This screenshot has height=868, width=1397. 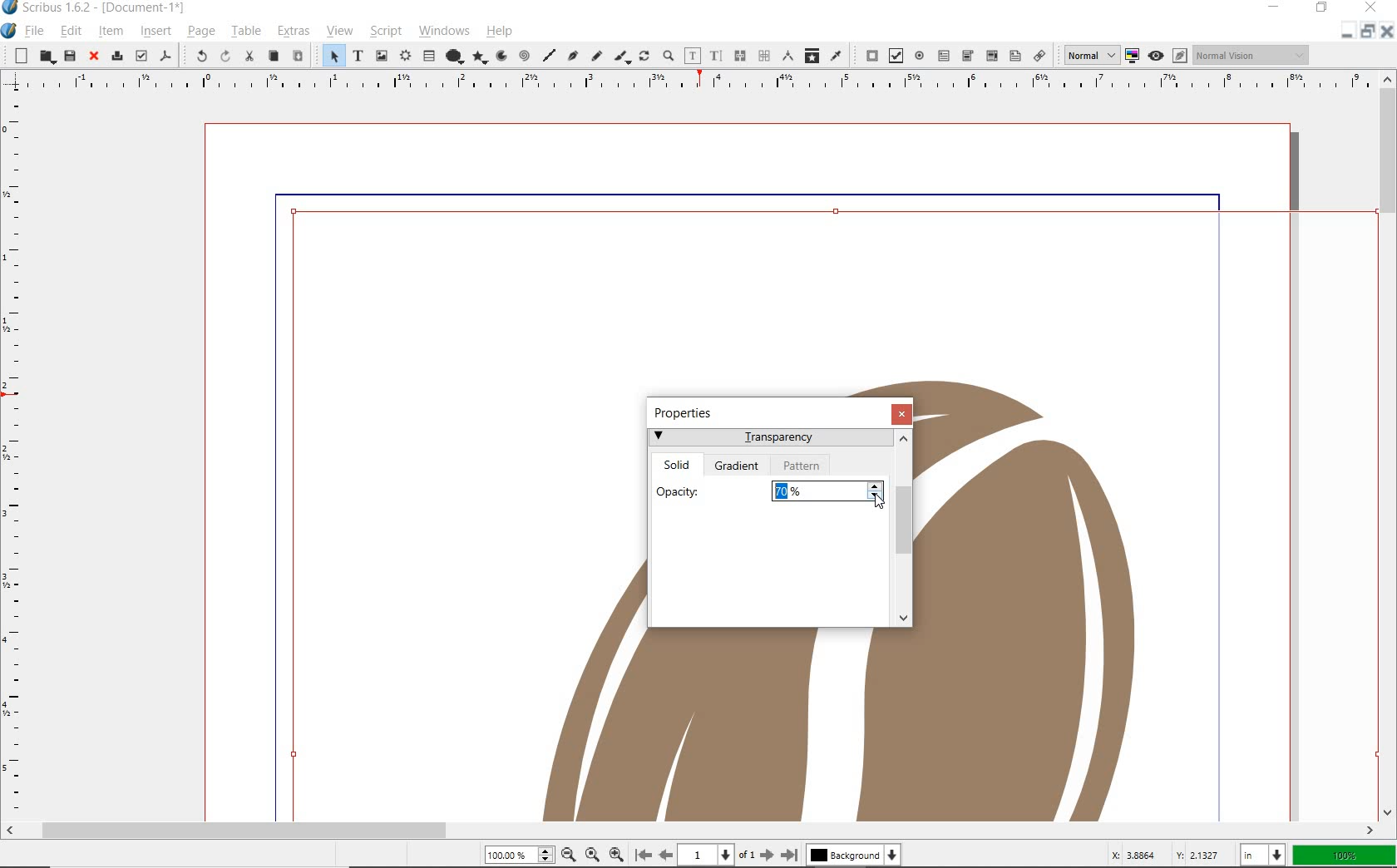 I want to click on system icon, so click(x=10, y=31).